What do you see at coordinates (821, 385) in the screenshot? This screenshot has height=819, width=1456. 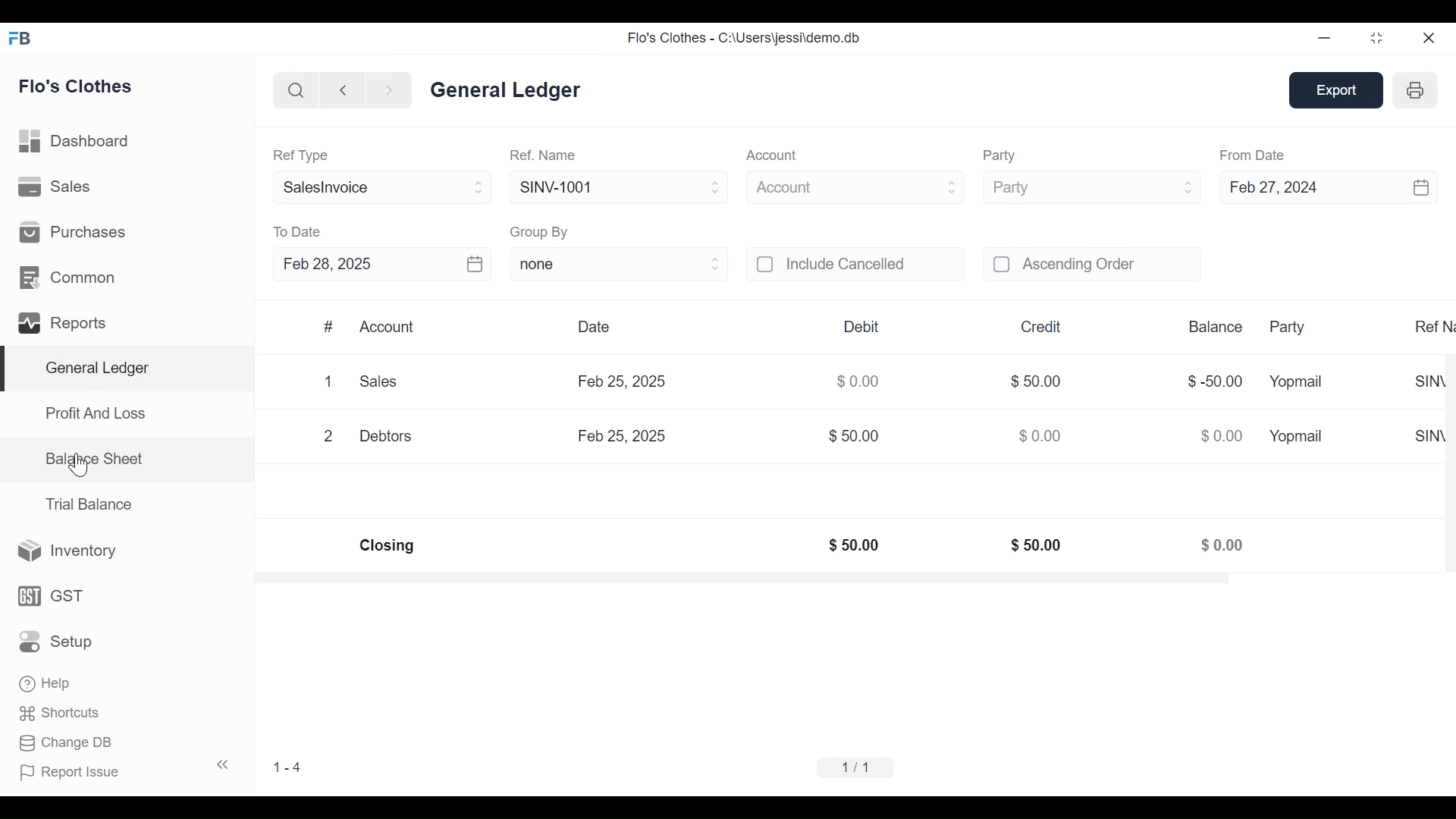 I see `1 Sales Feb 25, 2025 $0.00 $50.00 $-50.00  Yopmail` at bounding box center [821, 385].